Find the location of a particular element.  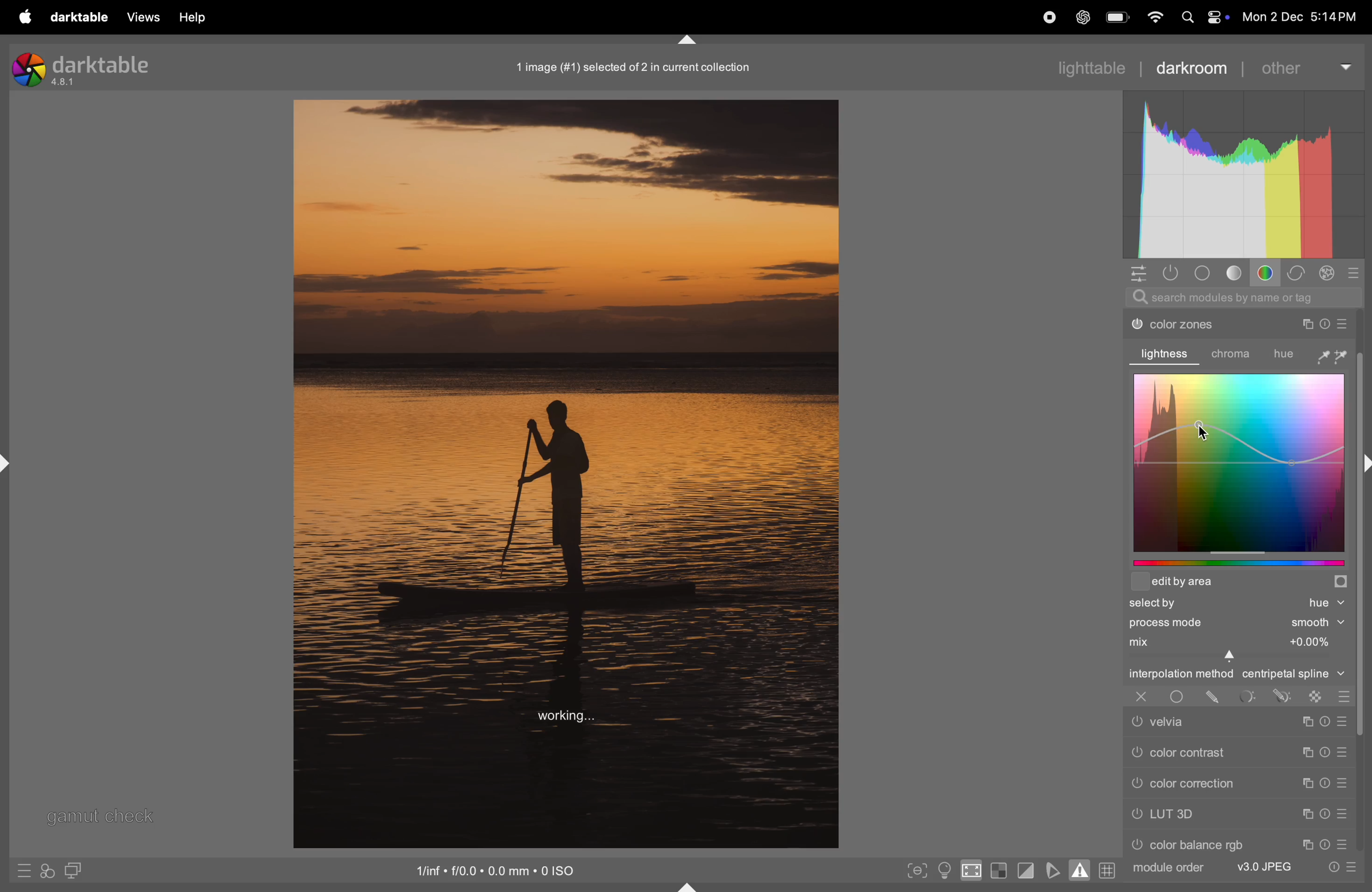

other is located at coordinates (1308, 66).